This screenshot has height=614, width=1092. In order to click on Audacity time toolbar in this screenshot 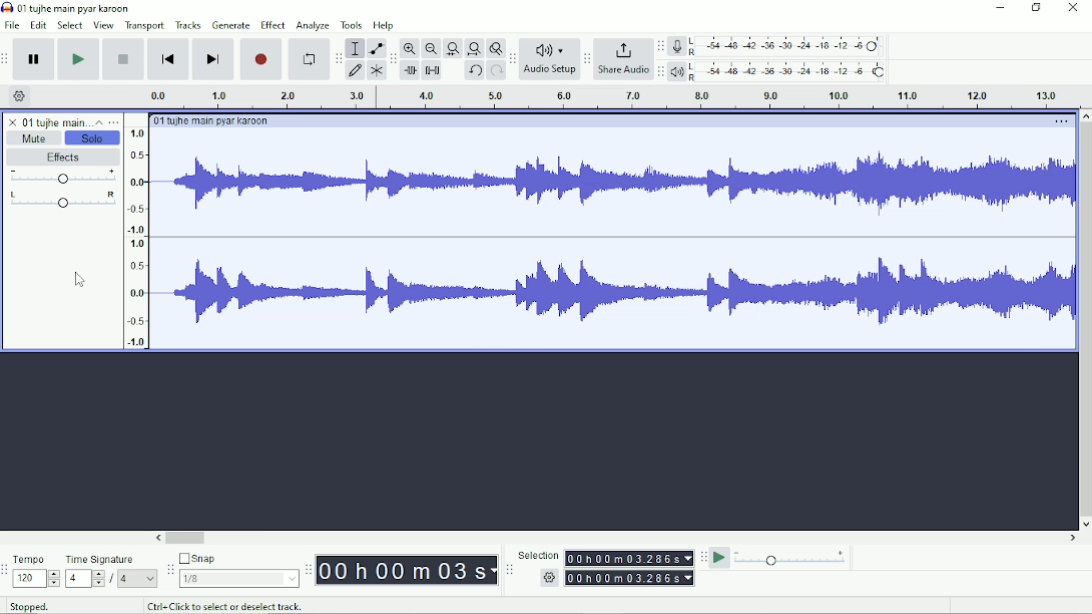, I will do `click(308, 570)`.